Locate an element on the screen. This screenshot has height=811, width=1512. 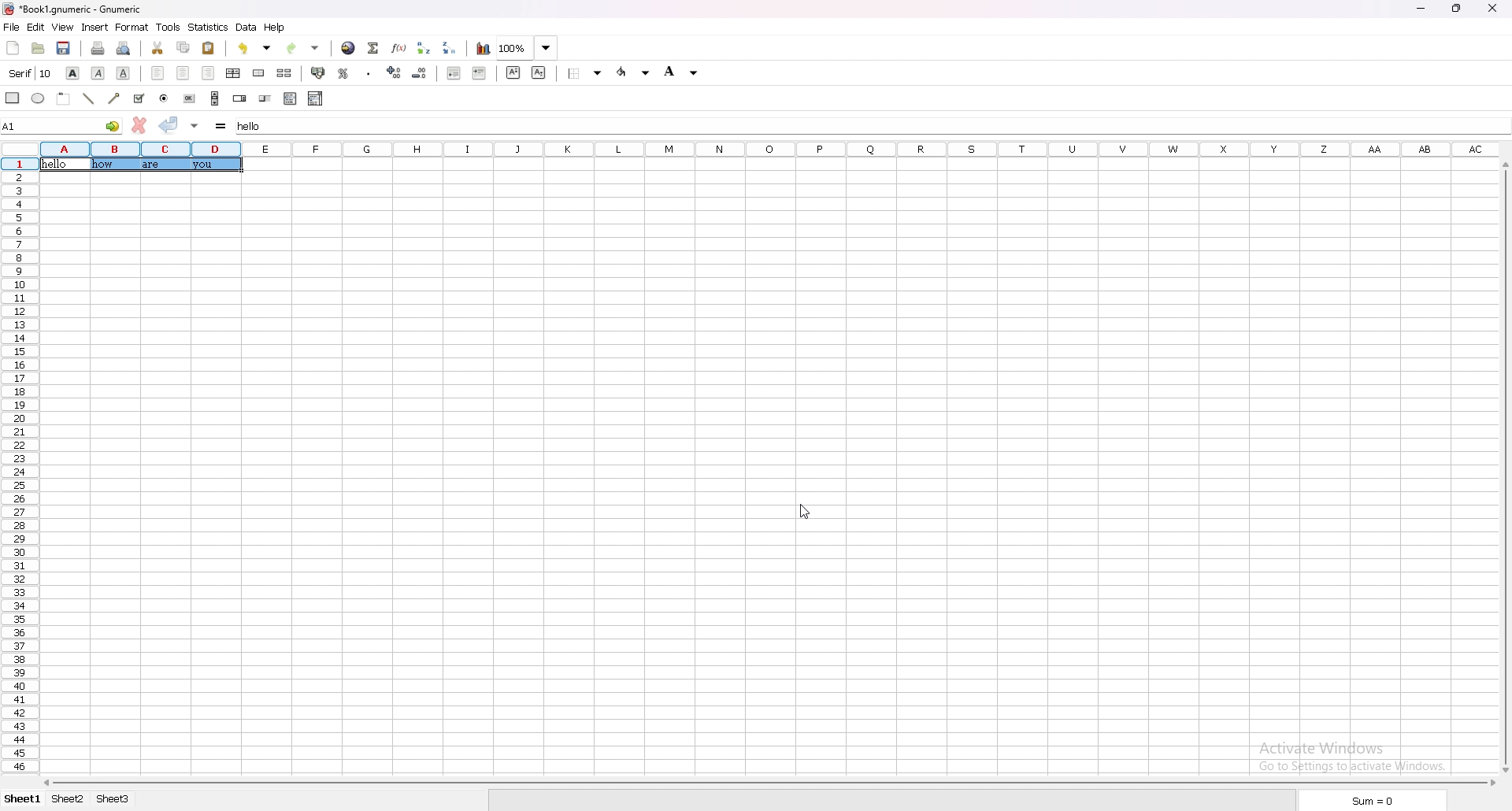
slider is located at coordinates (265, 98).